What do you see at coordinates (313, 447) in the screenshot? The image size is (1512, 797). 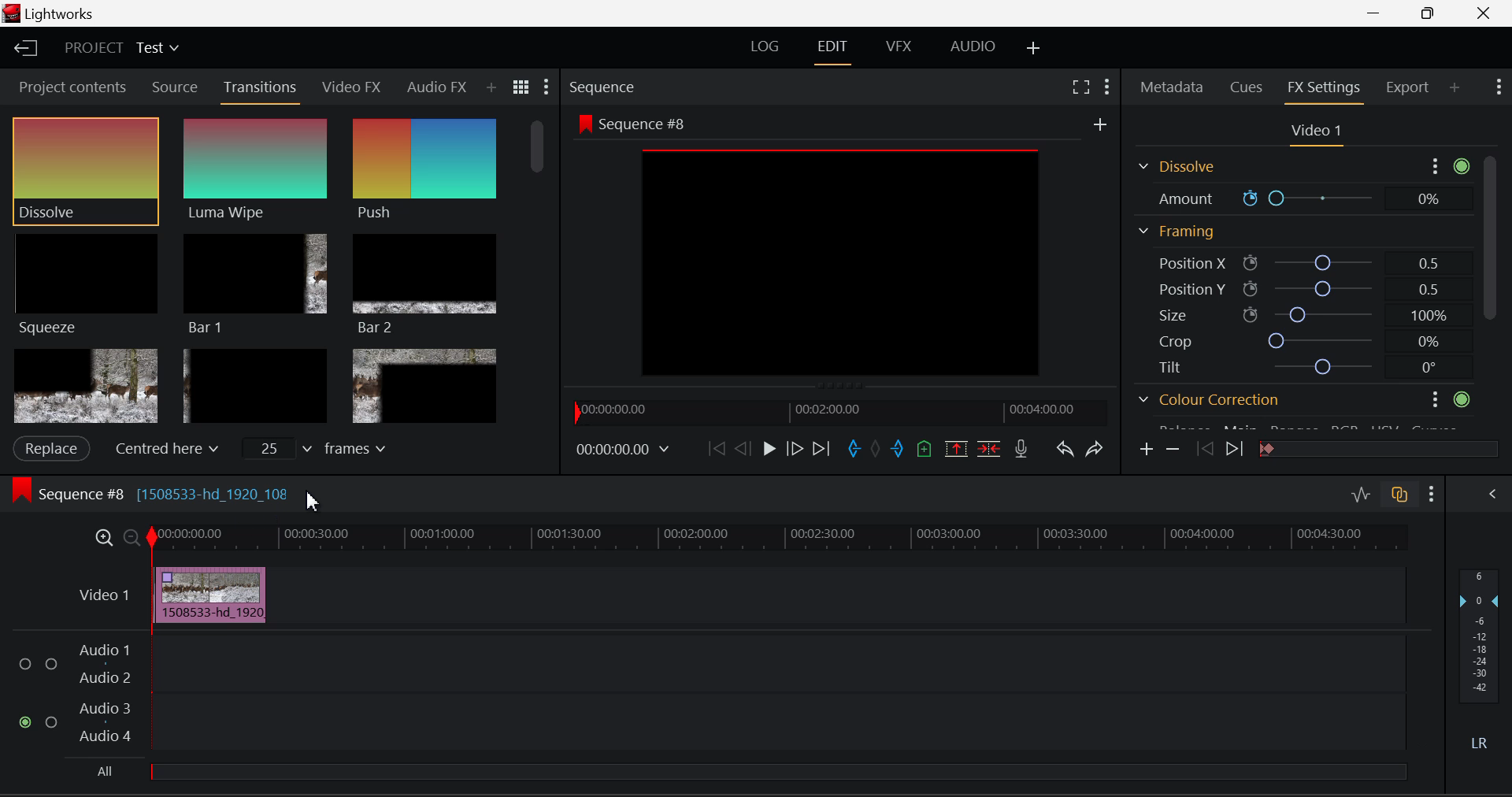 I see `frames input` at bounding box center [313, 447].